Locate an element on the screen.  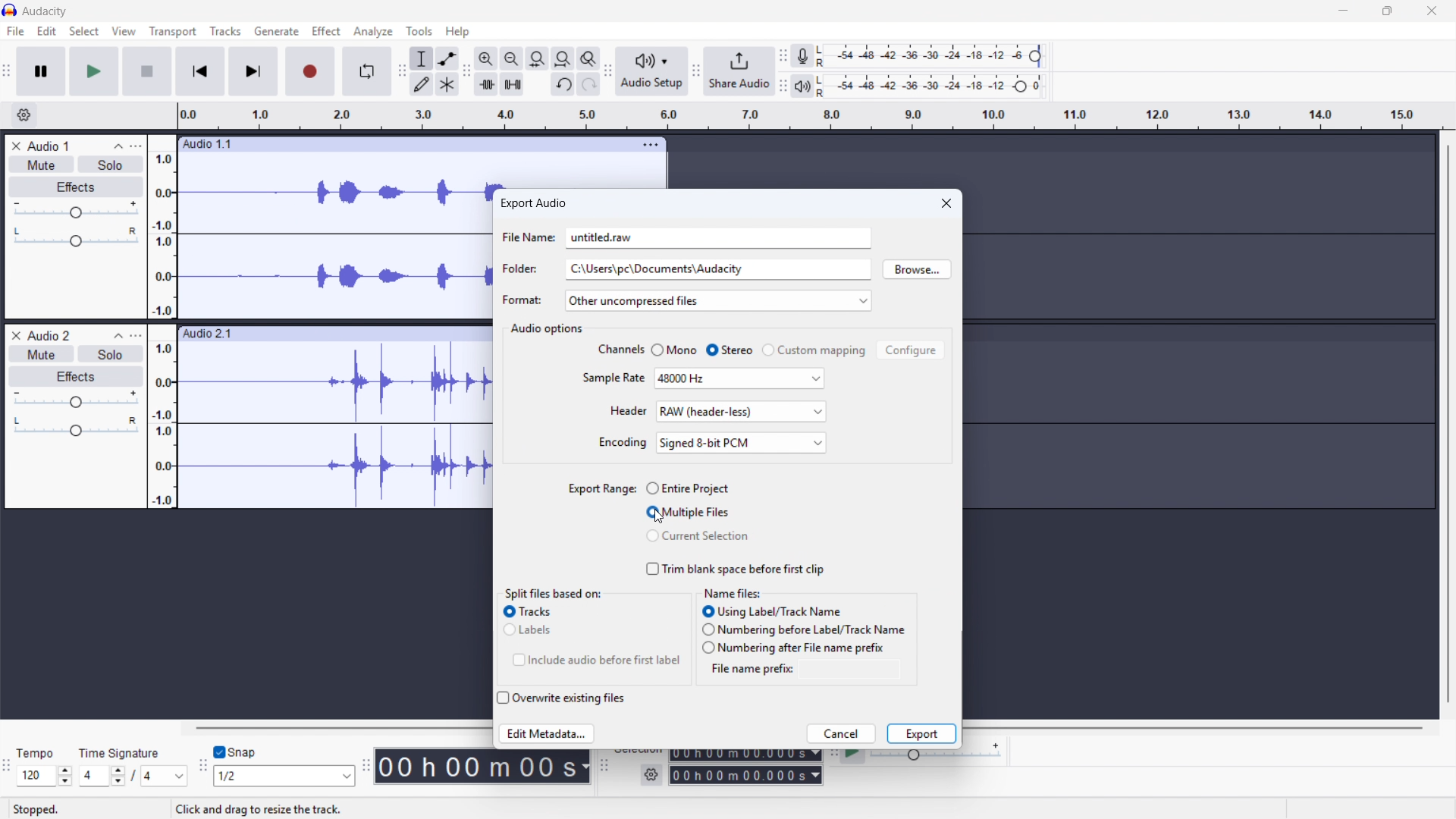
Stereo  is located at coordinates (730, 350).